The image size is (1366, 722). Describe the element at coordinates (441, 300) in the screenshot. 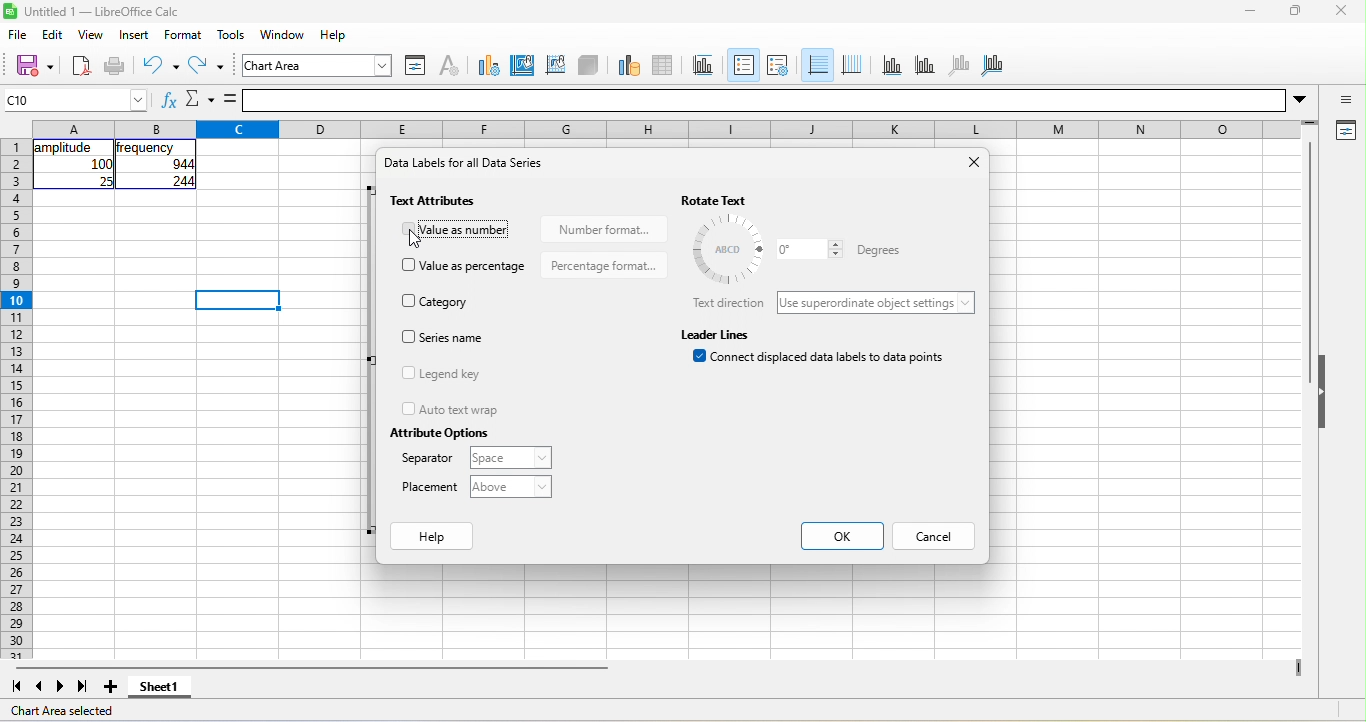

I see `category` at that location.